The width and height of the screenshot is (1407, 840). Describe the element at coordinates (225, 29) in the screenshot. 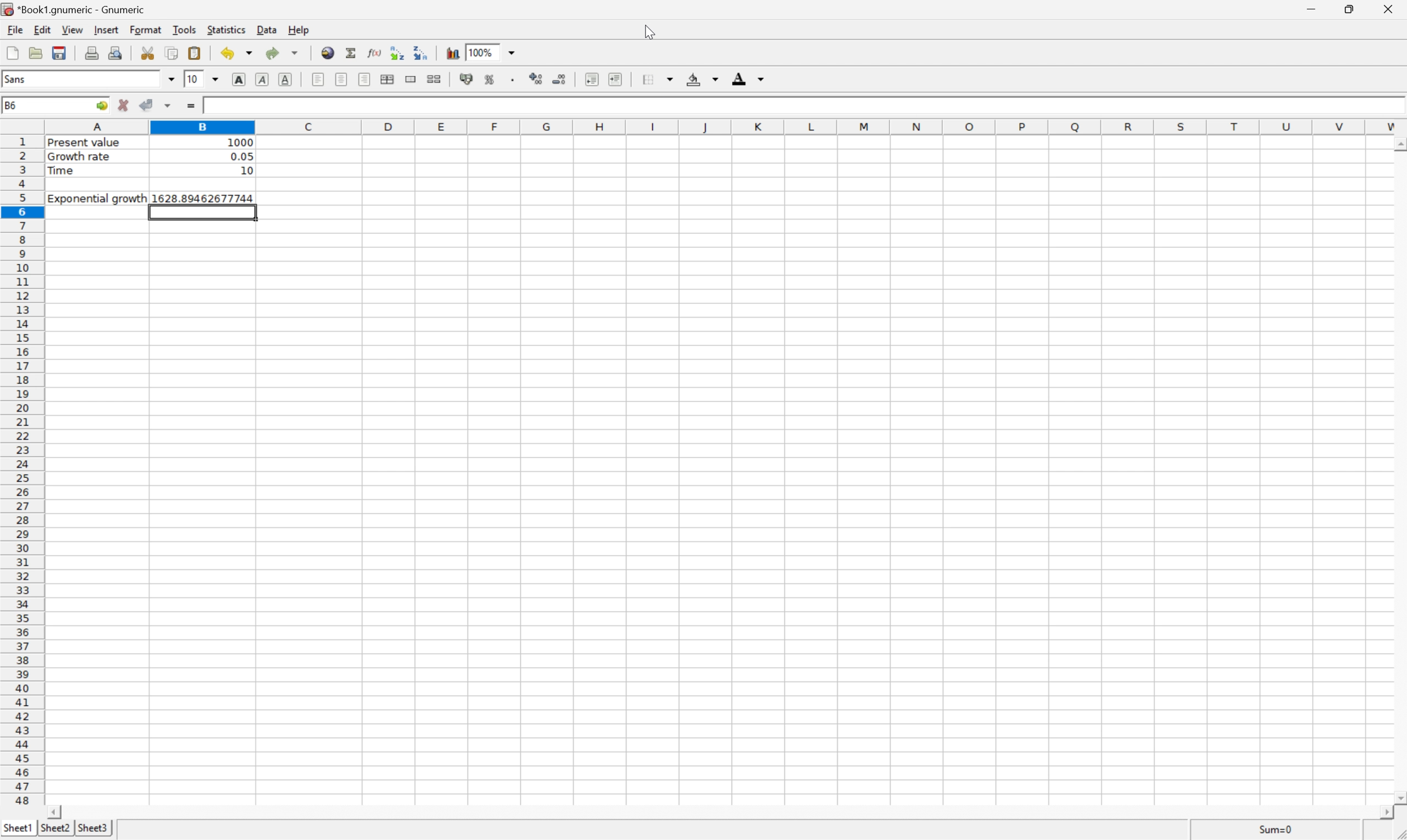

I see `Statistics` at that location.